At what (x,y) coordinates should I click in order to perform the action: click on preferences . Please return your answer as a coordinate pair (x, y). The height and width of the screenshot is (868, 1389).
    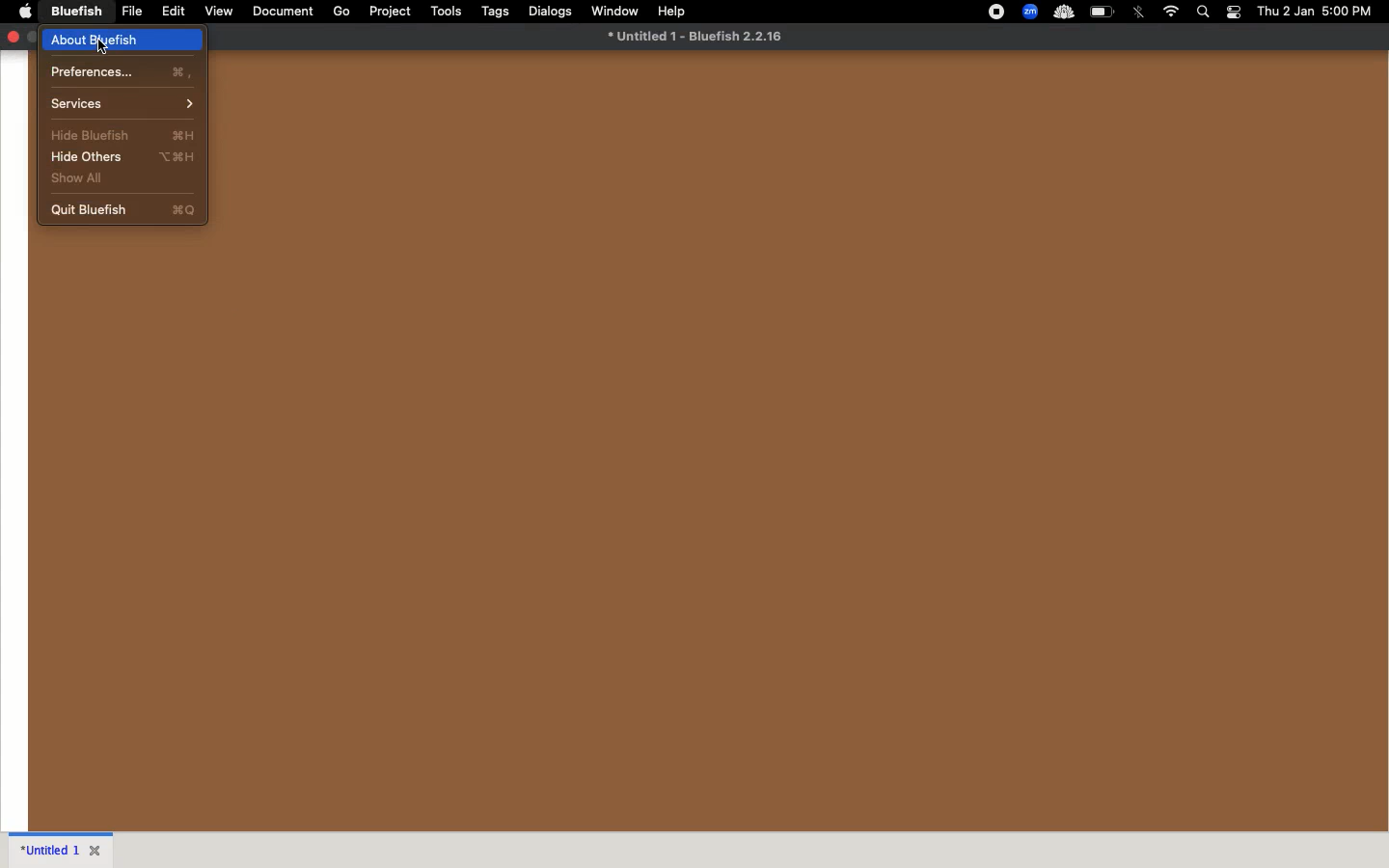
    Looking at the image, I should click on (118, 72).